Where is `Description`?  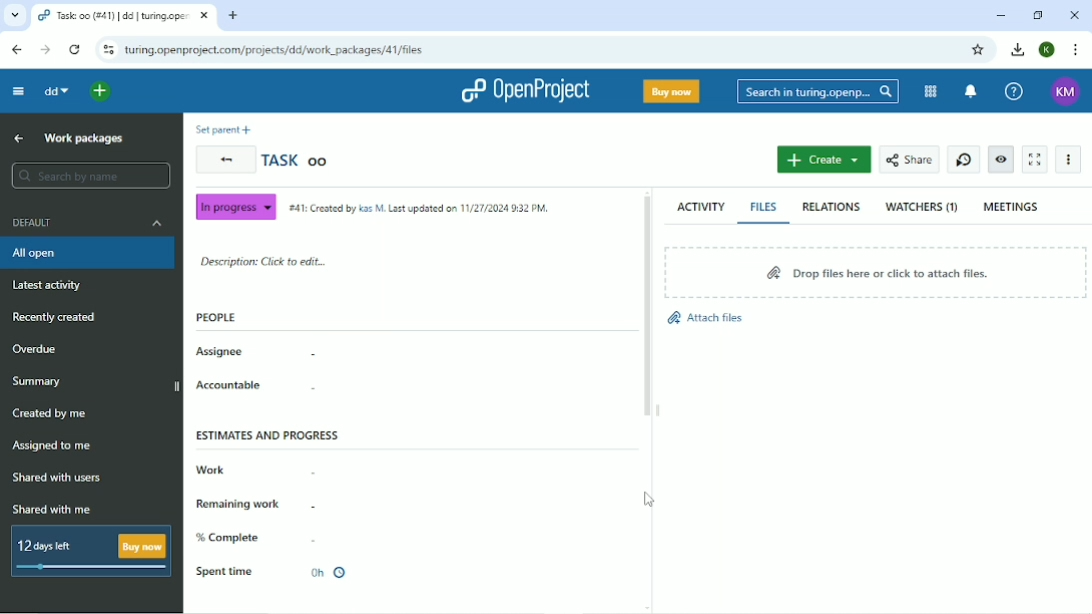 Description is located at coordinates (267, 262).